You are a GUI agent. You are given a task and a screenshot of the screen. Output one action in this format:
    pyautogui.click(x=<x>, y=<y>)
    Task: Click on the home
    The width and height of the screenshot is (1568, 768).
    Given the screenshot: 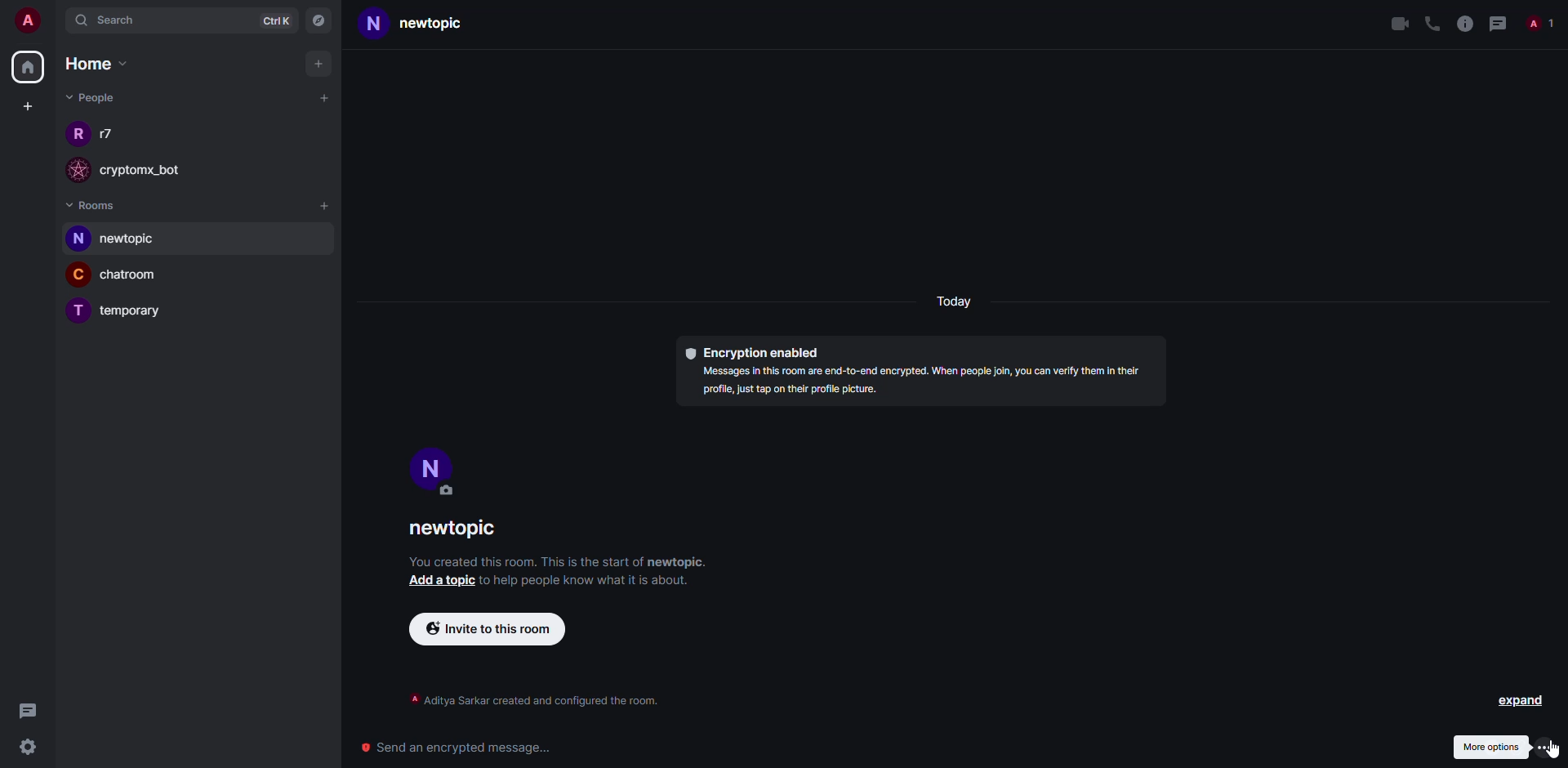 What is the action you would take?
    pyautogui.click(x=24, y=69)
    